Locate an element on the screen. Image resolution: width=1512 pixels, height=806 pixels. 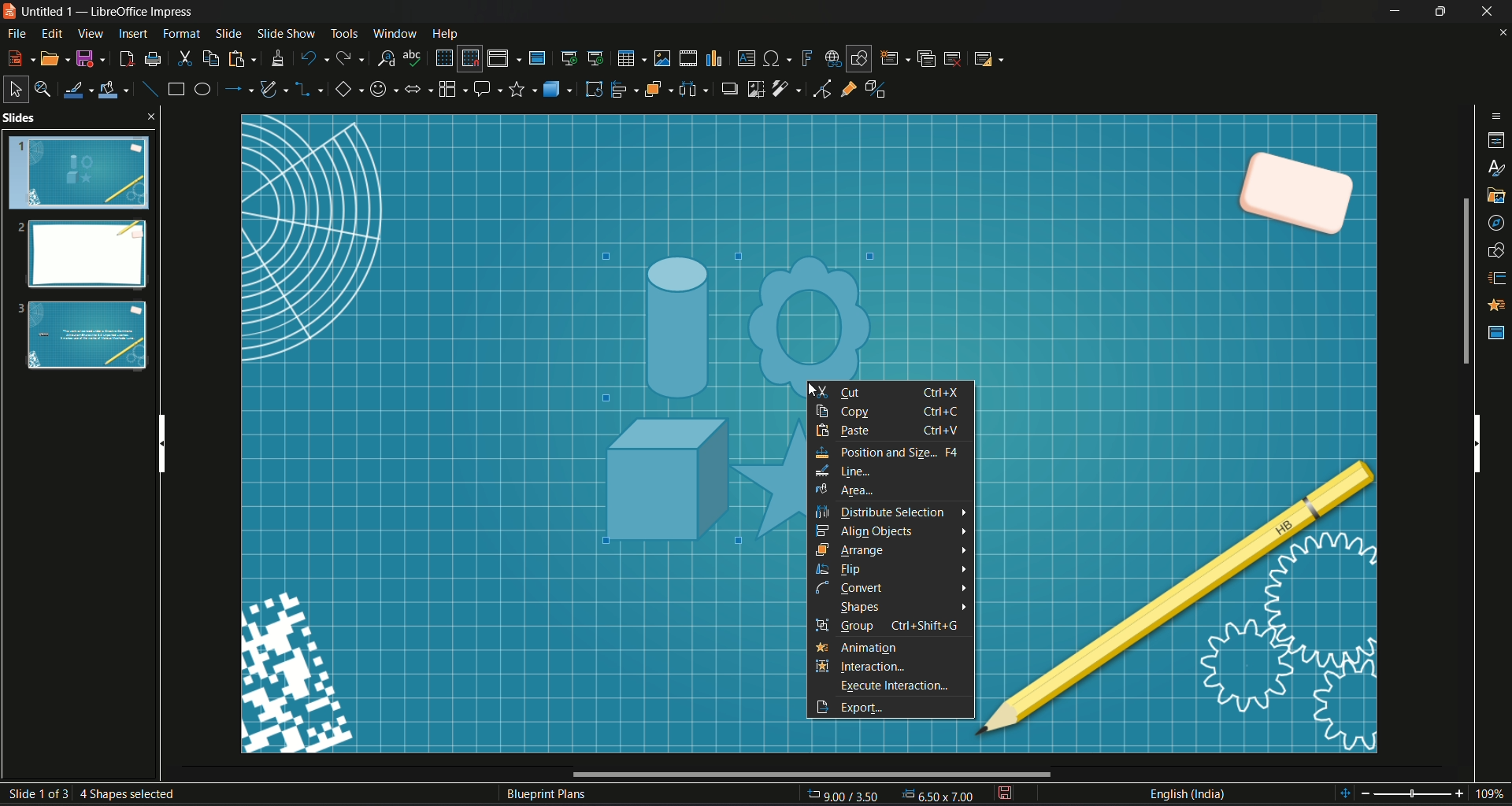
line is located at coordinates (843, 471).